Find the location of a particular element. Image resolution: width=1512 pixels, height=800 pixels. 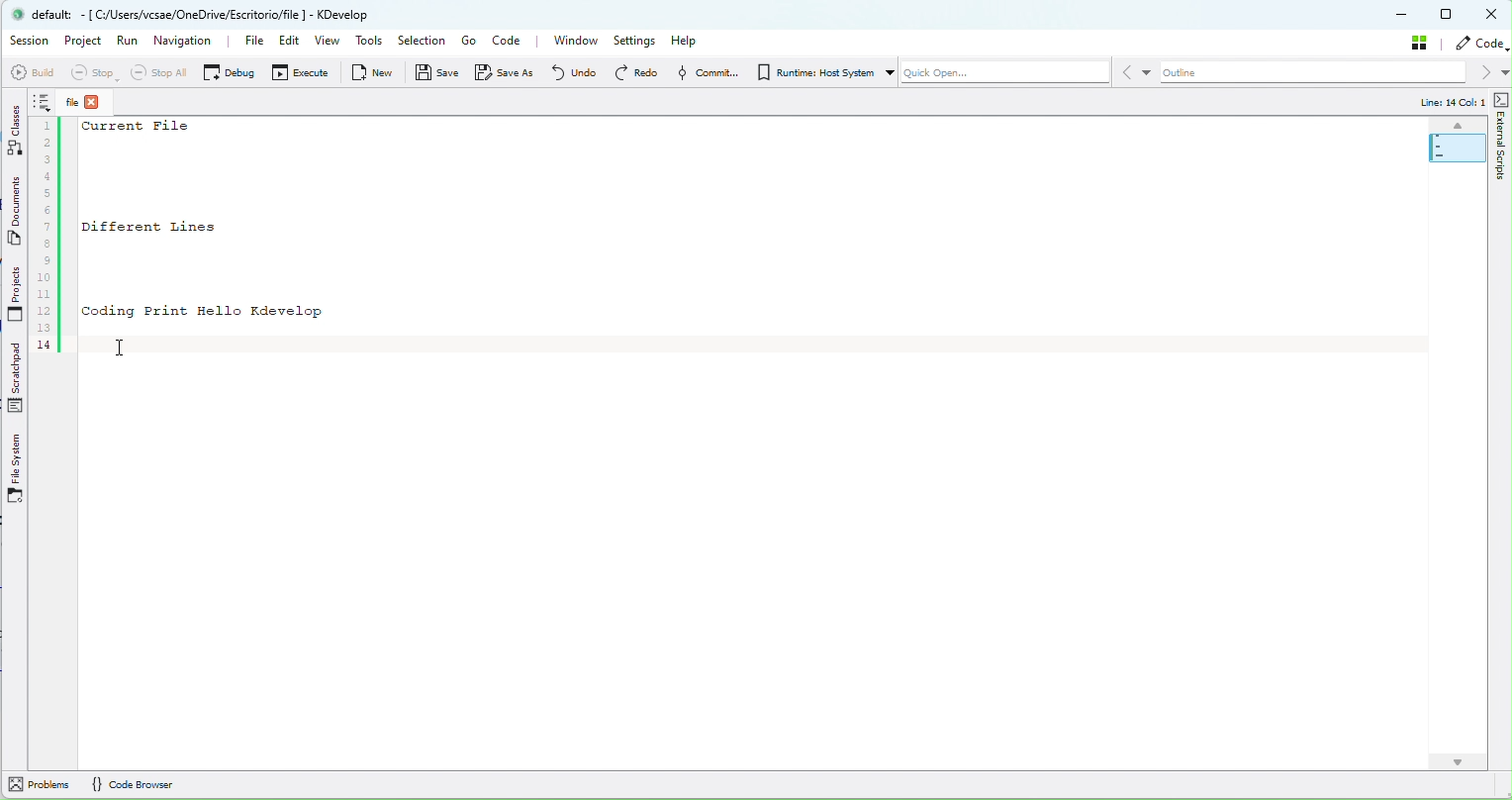

Help is located at coordinates (691, 40).